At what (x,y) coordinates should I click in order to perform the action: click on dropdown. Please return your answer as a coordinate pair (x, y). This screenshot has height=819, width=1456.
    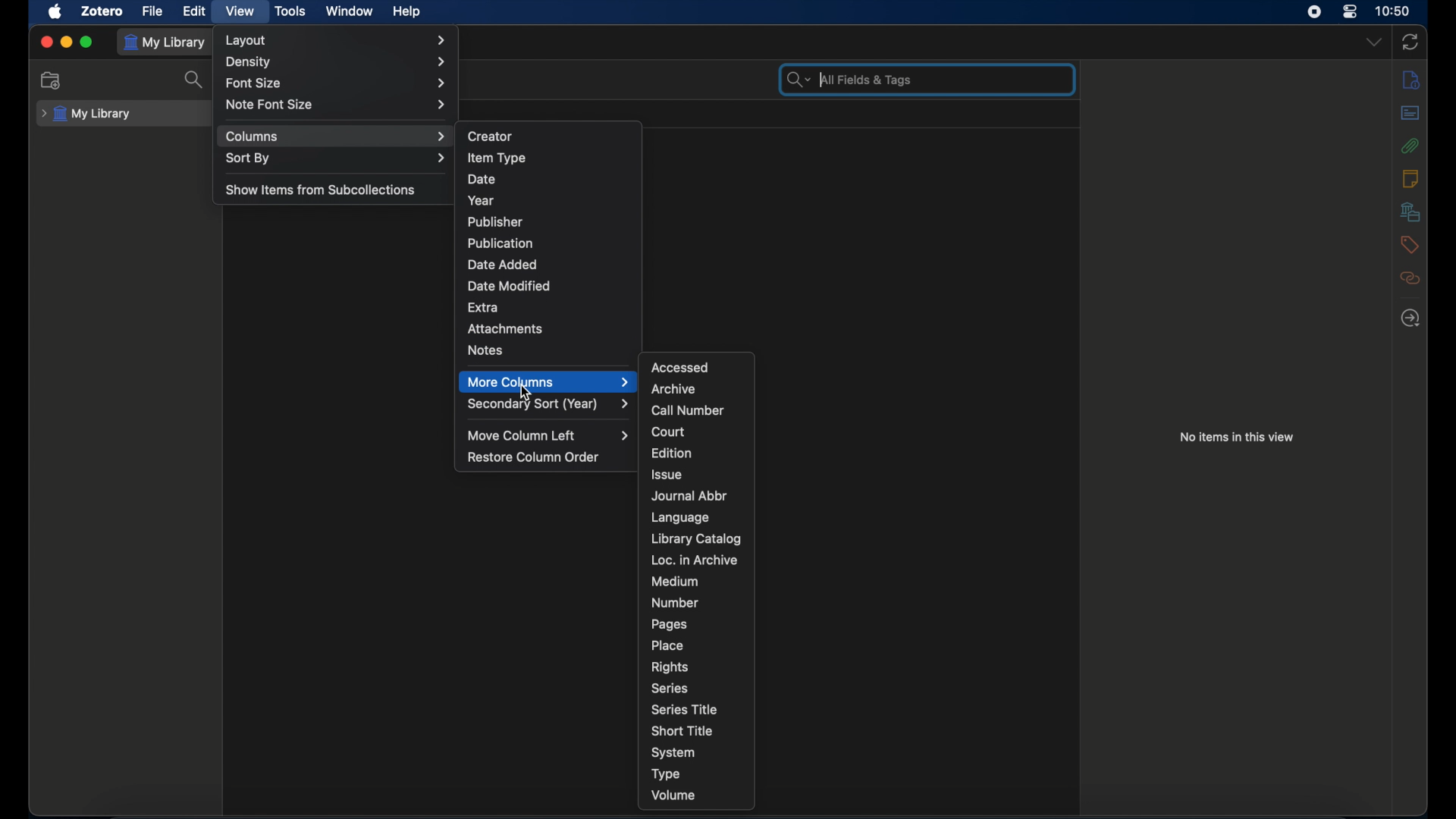
    Looking at the image, I should click on (1374, 41).